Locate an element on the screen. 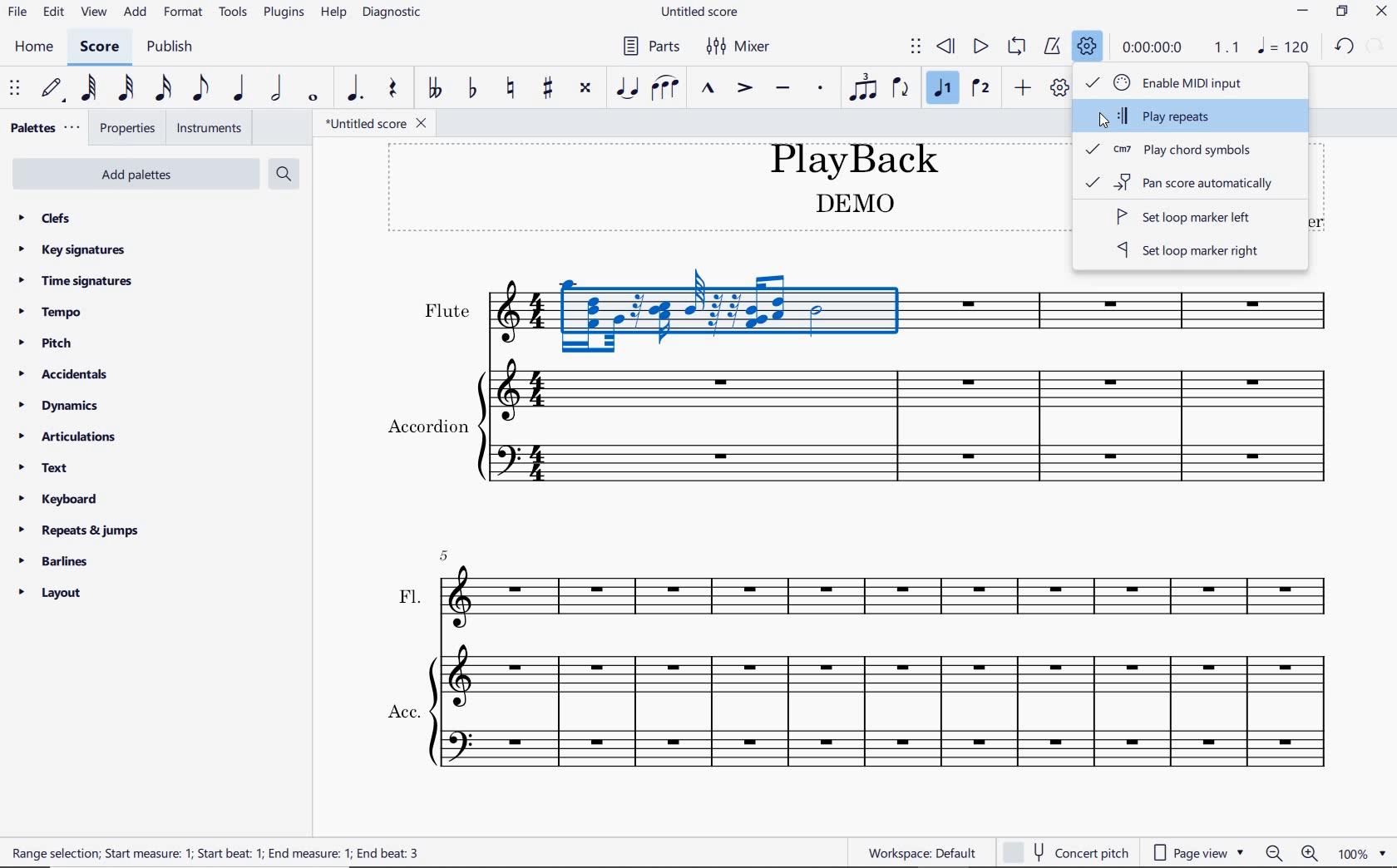 The image size is (1397, 868). publish is located at coordinates (174, 45).